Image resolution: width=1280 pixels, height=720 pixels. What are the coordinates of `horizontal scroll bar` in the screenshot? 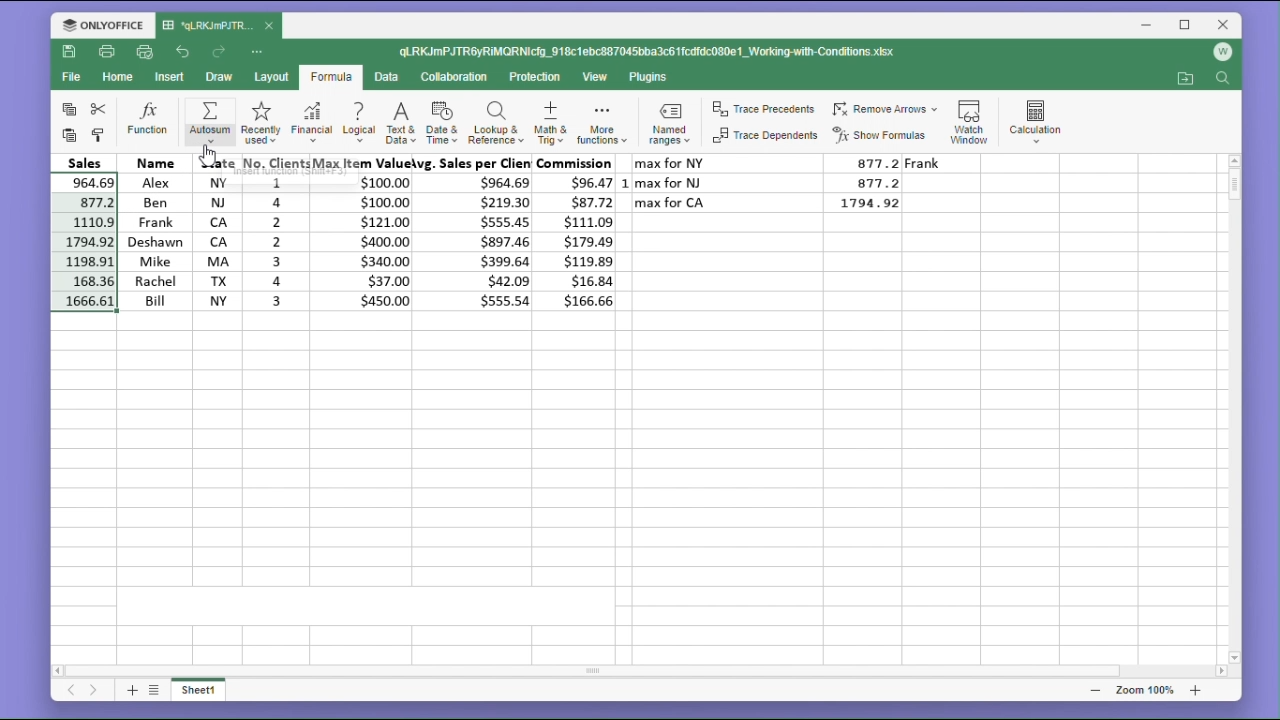 It's located at (642, 671).